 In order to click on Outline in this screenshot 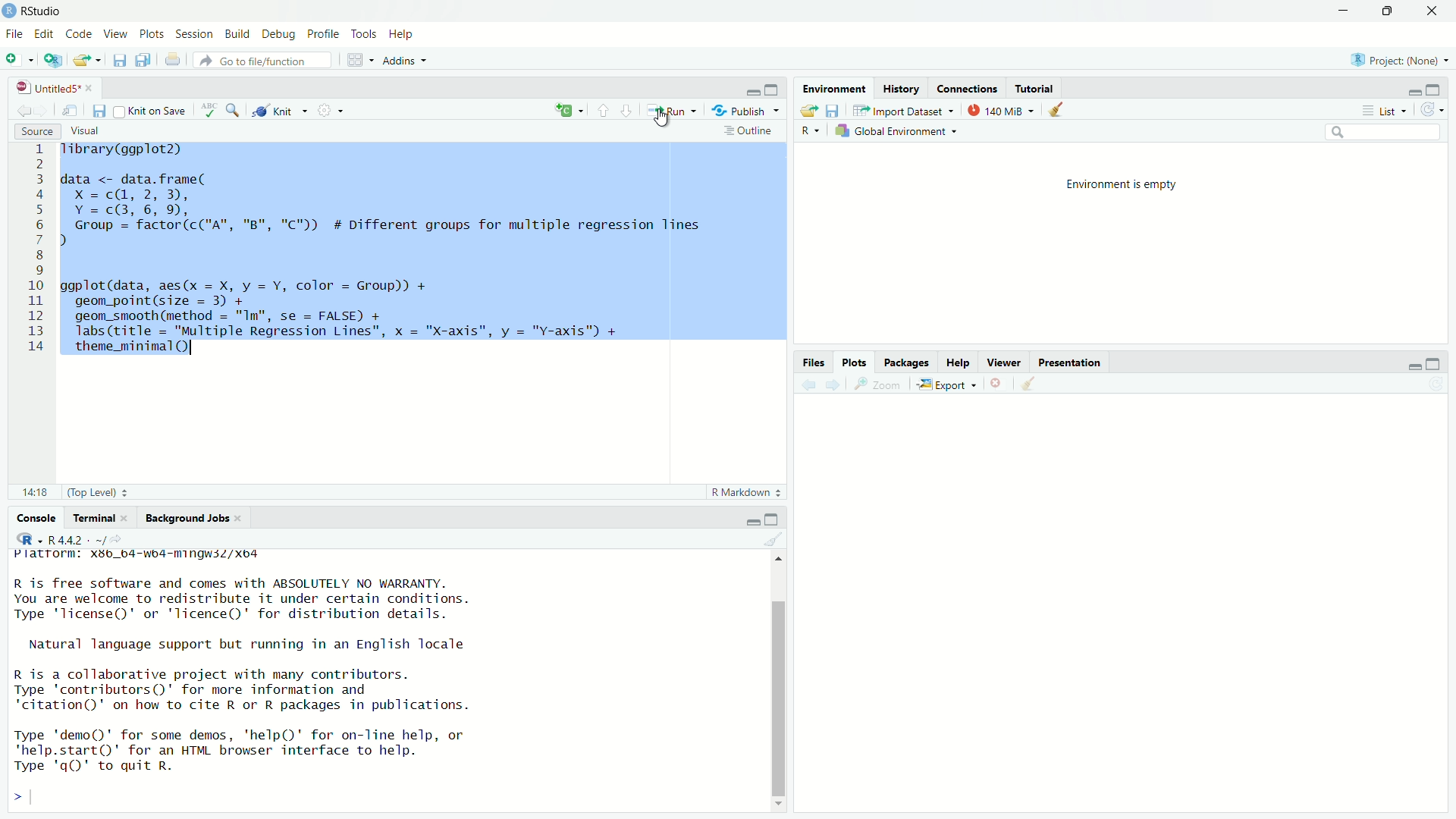, I will do `click(749, 132)`.